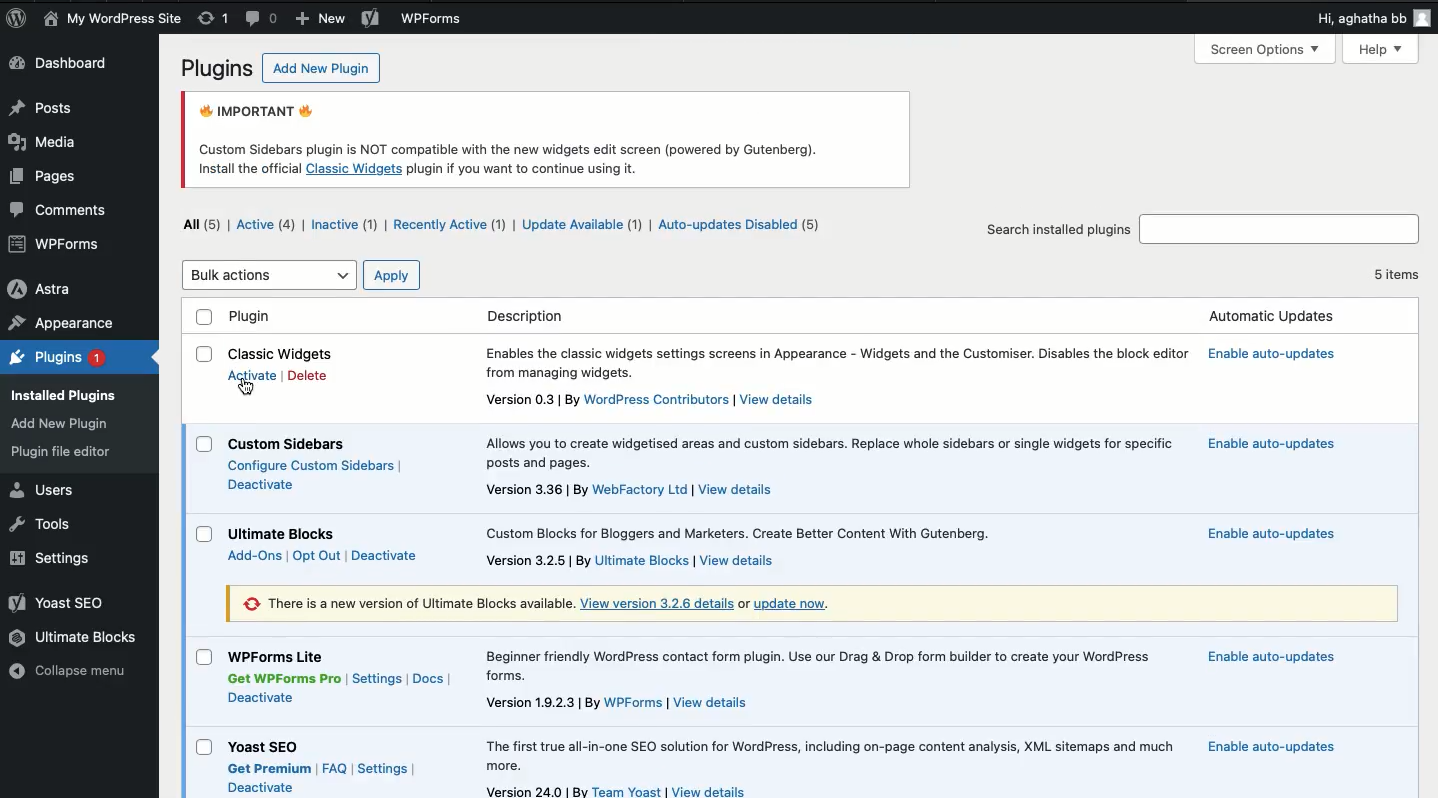 Image resolution: width=1438 pixels, height=798 pixels. What do you see at coordinates (261, 20) in the screenshot?
I see `Comment` at bounding box center [261, 20].